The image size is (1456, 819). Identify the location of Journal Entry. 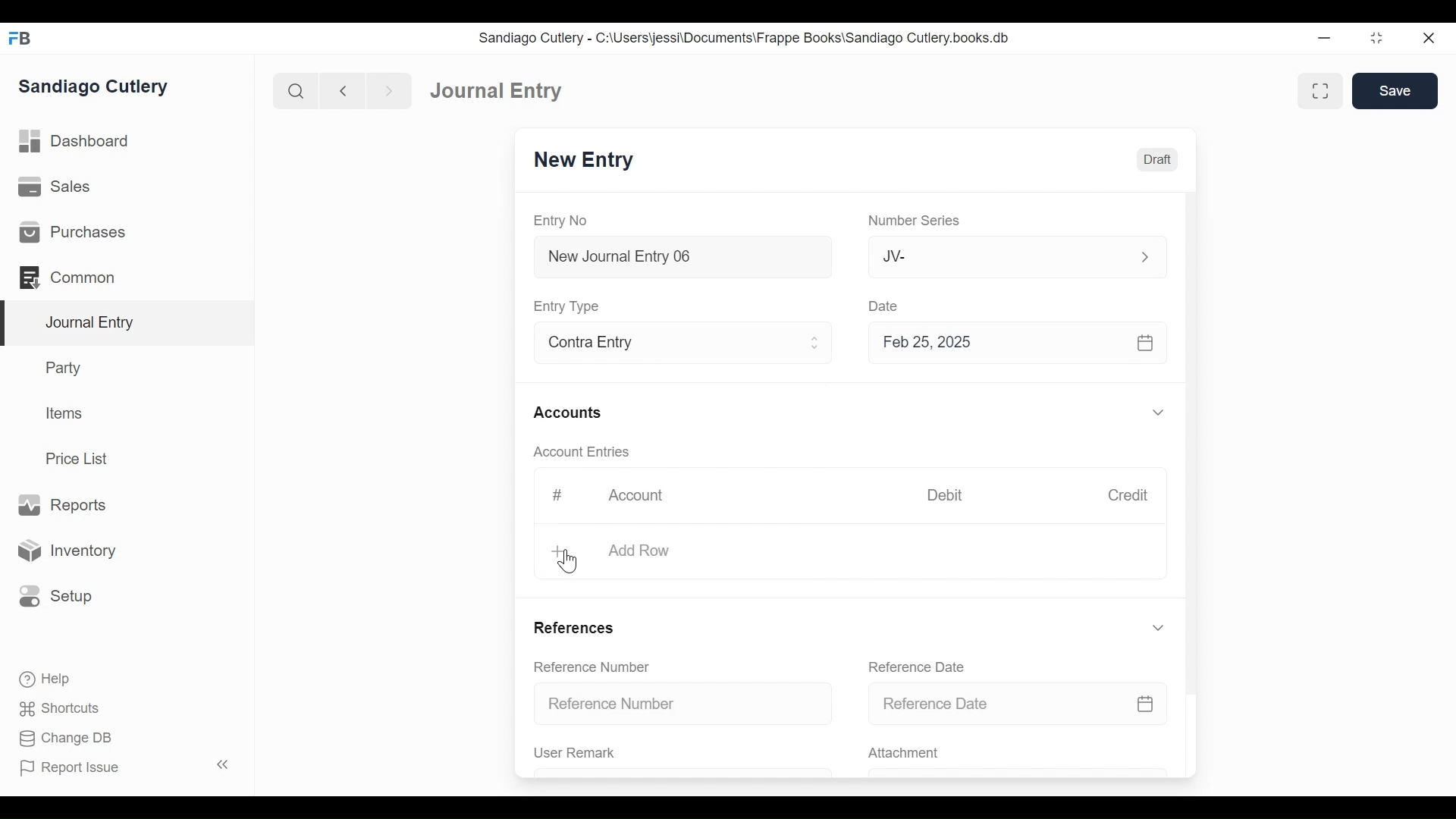
(128, 324).